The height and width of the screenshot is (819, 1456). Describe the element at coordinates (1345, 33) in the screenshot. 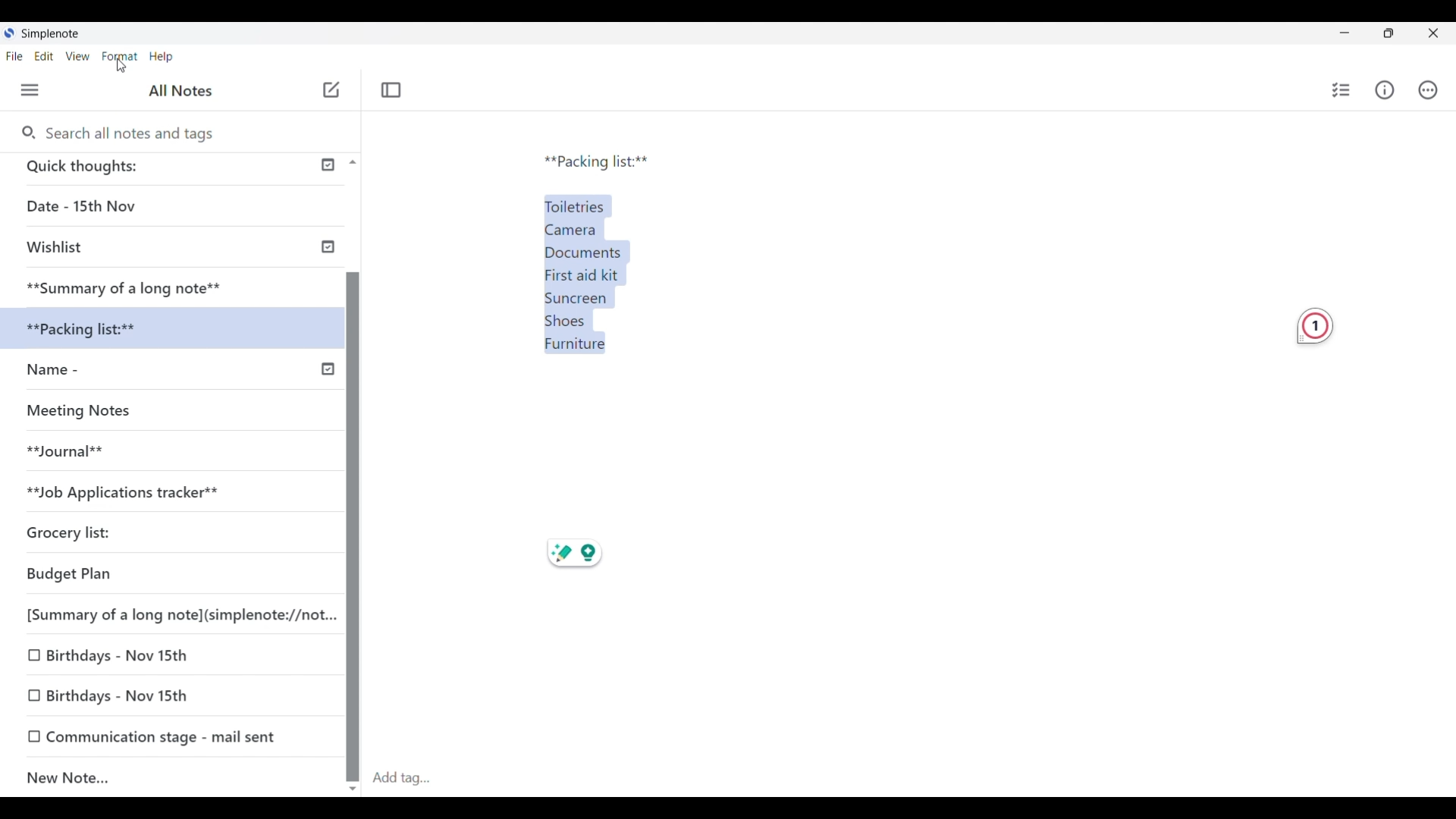

I see `Minimize ` at that location.